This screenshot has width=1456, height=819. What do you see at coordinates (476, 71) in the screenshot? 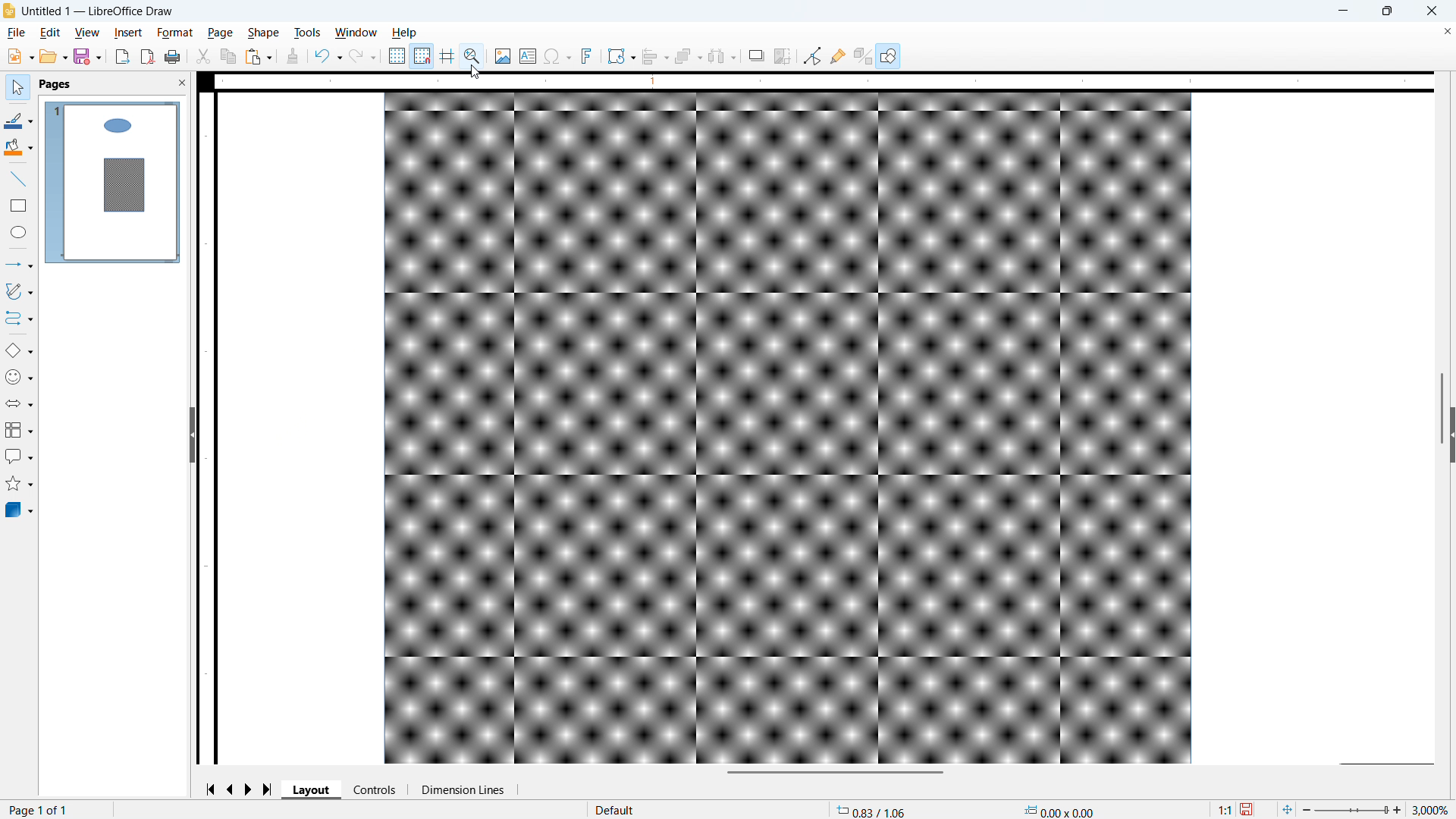
I see `Cursor ` at bounding box center [476, 71].